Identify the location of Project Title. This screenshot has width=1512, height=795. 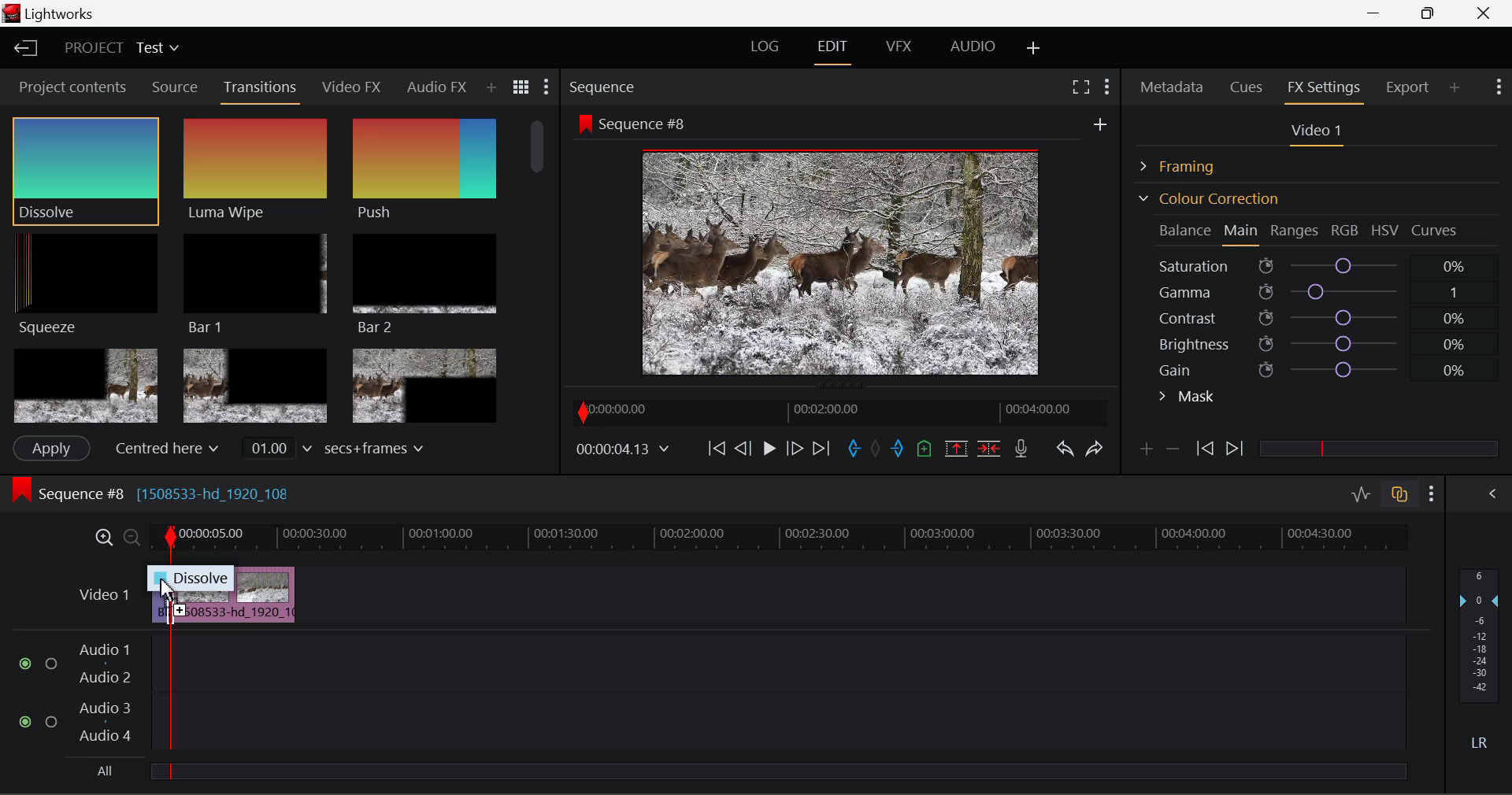
(122, 49).